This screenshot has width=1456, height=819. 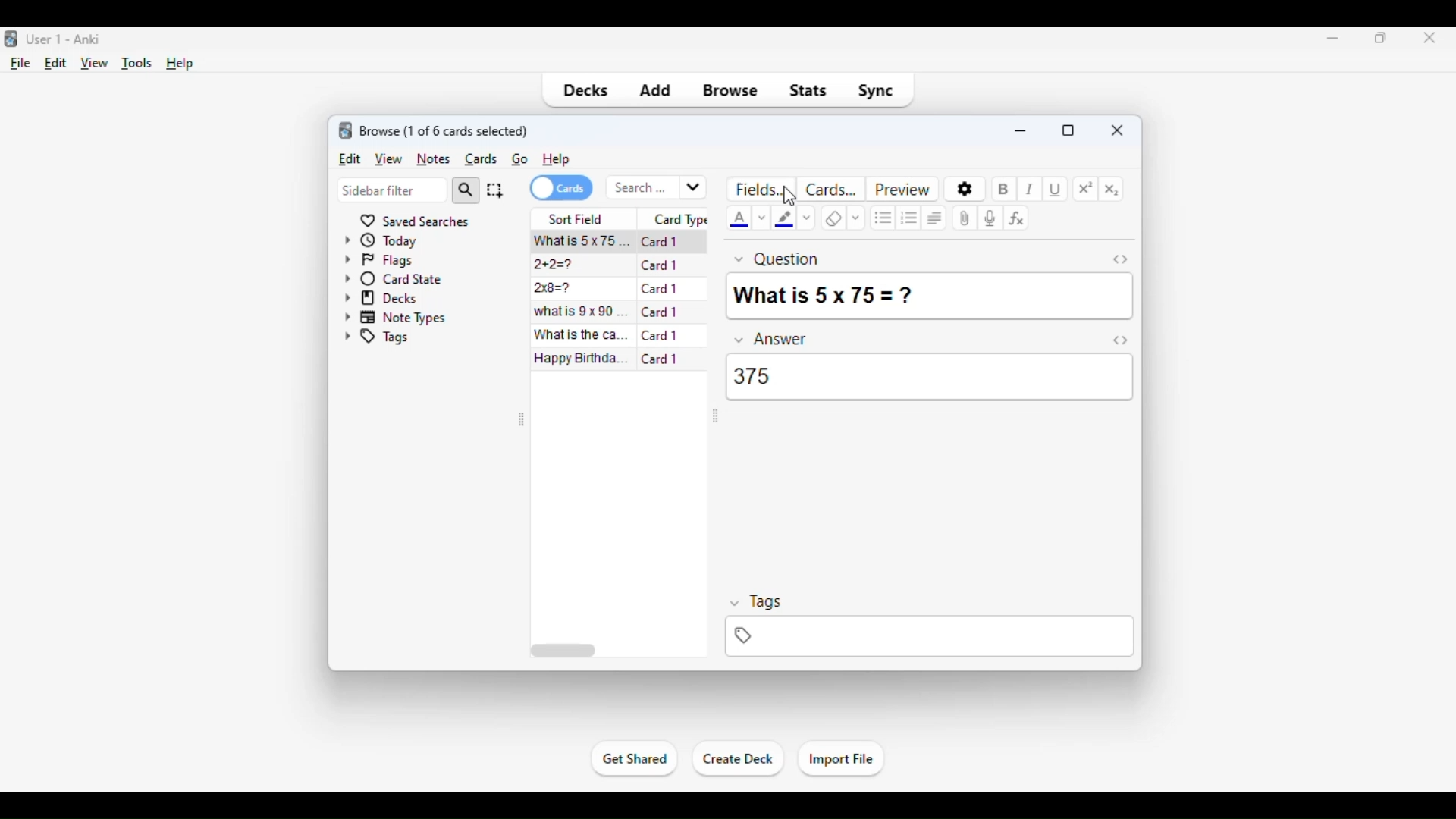 What do you see at coordinates (433, 159) in the screenshot?
I see `notes` at bounding box center [433, 159].